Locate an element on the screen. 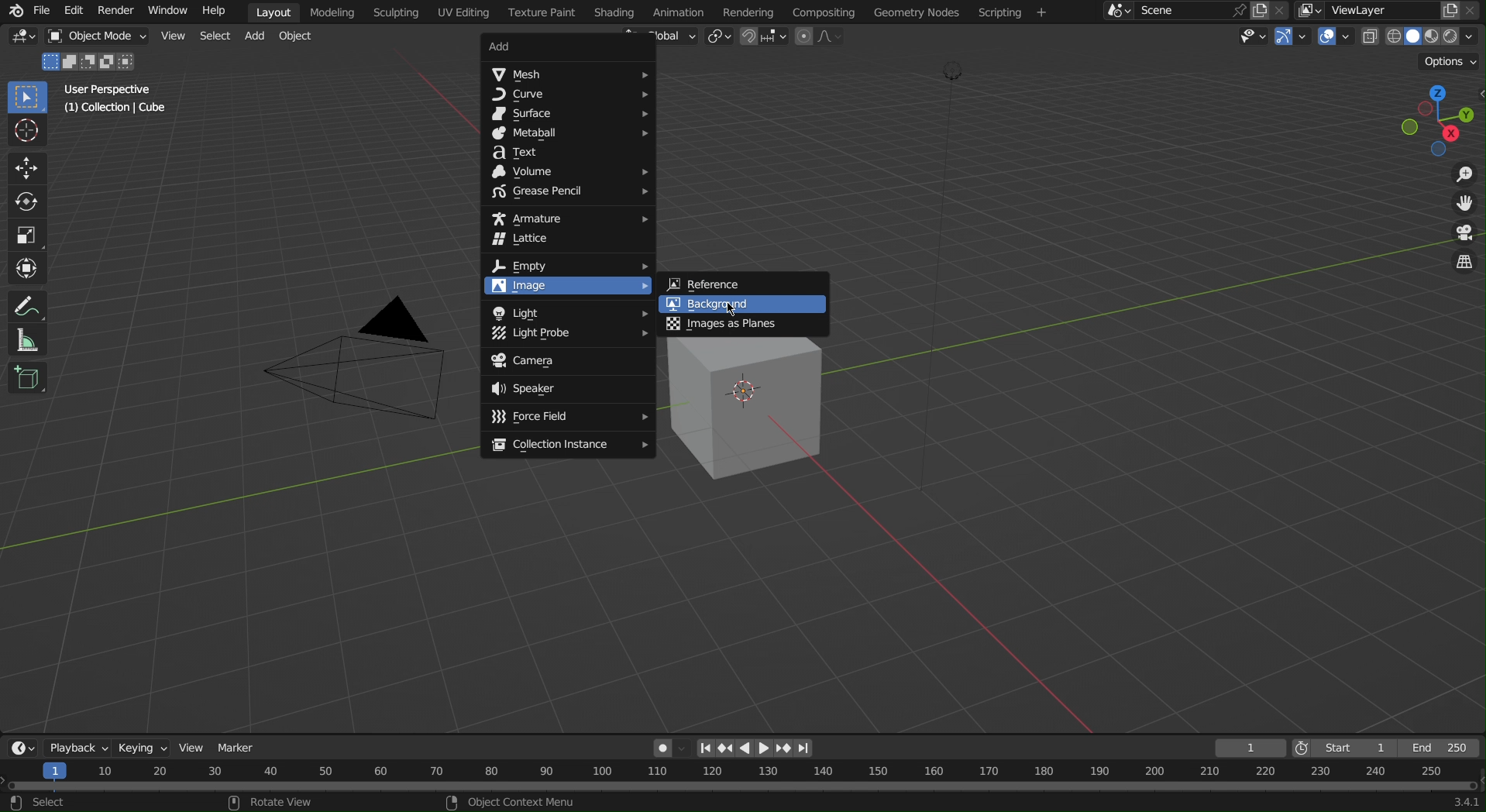  Shading is located at coordinates (614, 12).